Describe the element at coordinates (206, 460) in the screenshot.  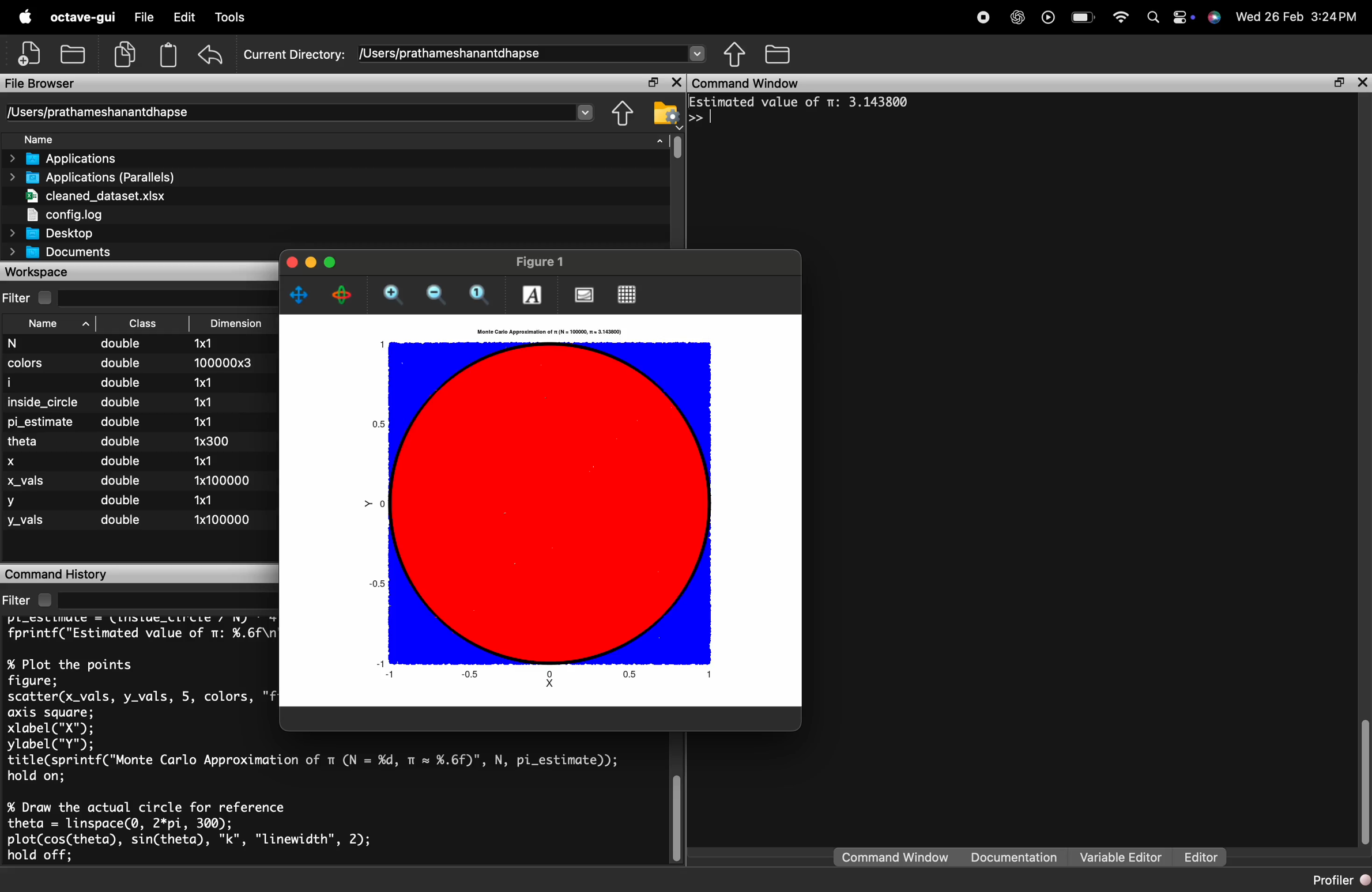
I see `1x1` at that location.